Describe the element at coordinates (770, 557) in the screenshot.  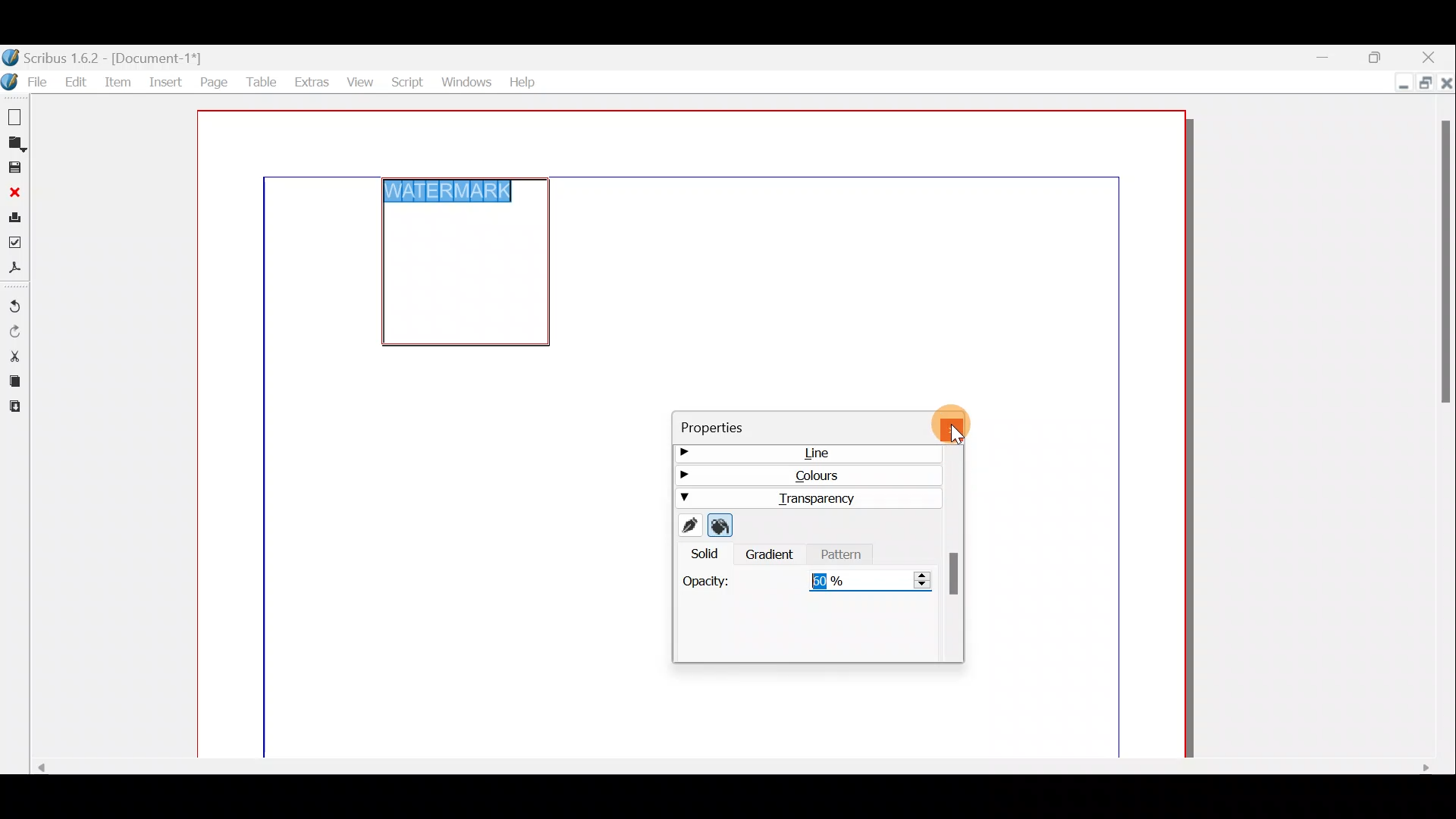
I see `Gradient` at that location.